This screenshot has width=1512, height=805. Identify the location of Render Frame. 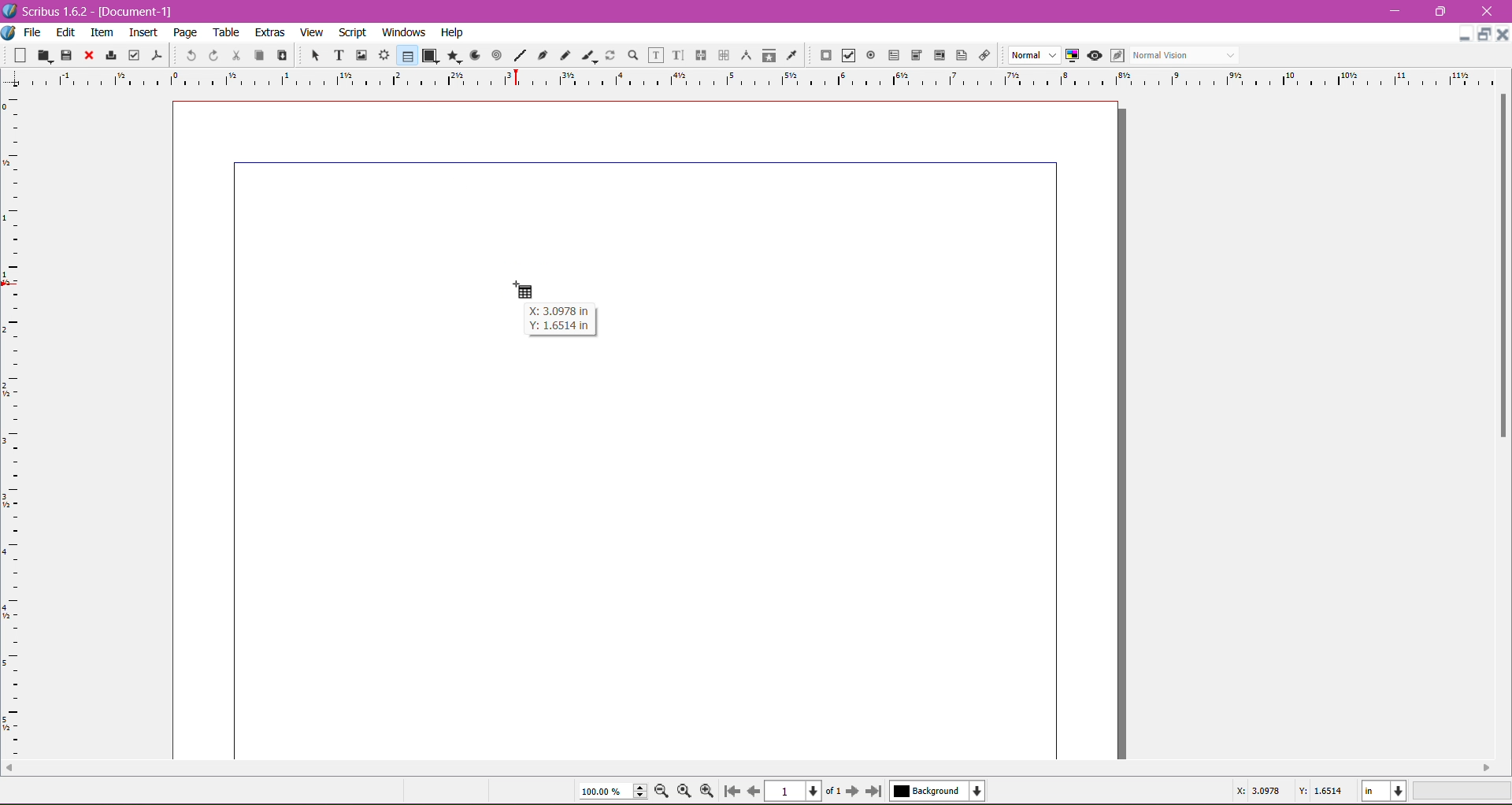
(384, 55).